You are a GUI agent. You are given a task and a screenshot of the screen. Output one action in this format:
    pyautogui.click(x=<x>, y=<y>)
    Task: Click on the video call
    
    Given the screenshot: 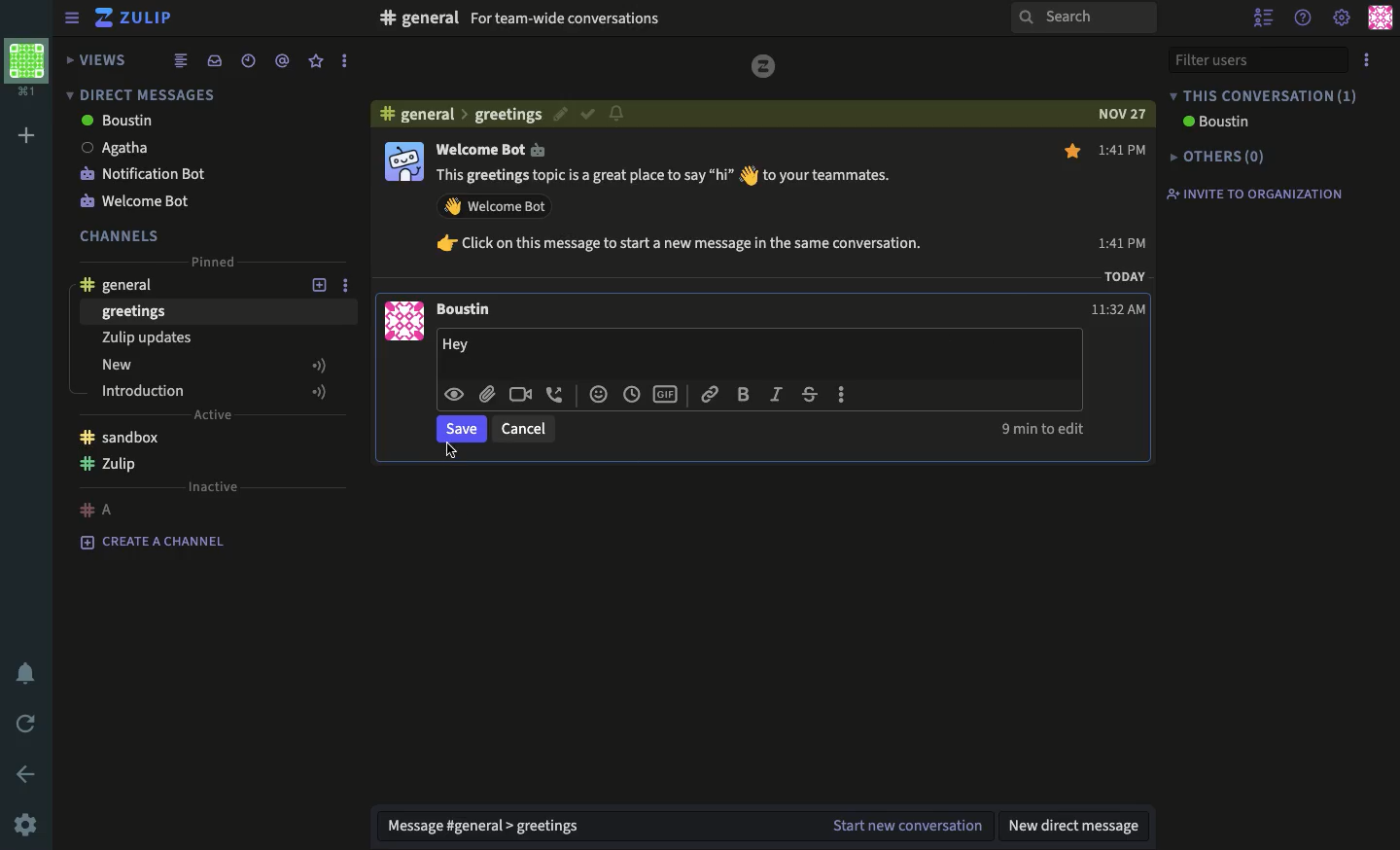 What is the action you would take?
    pyautogui.click(x=520, y=394)
    